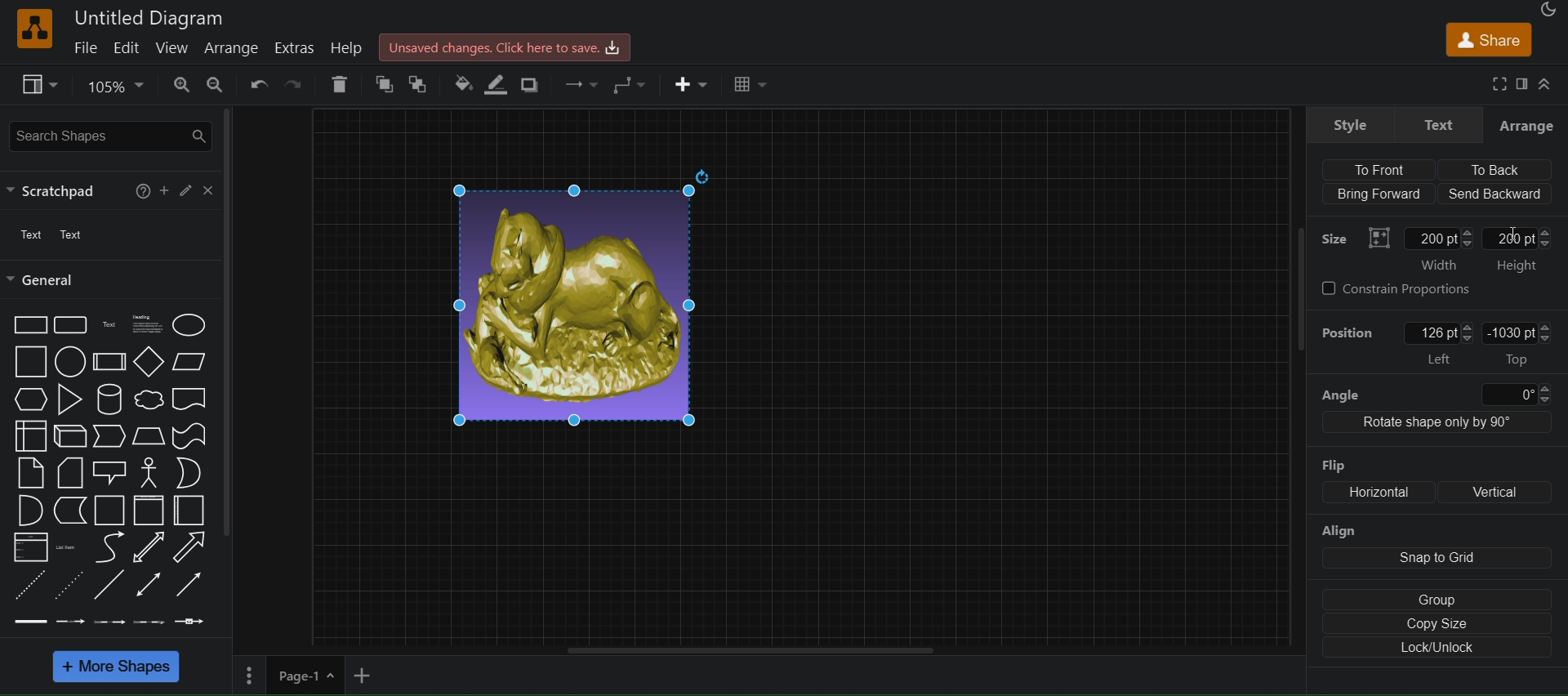 This screenshot has width=1568, height=696. What do you see at coordinates (79, 49) in the screenshot?
I see `file` at bounding box center [79, 49].